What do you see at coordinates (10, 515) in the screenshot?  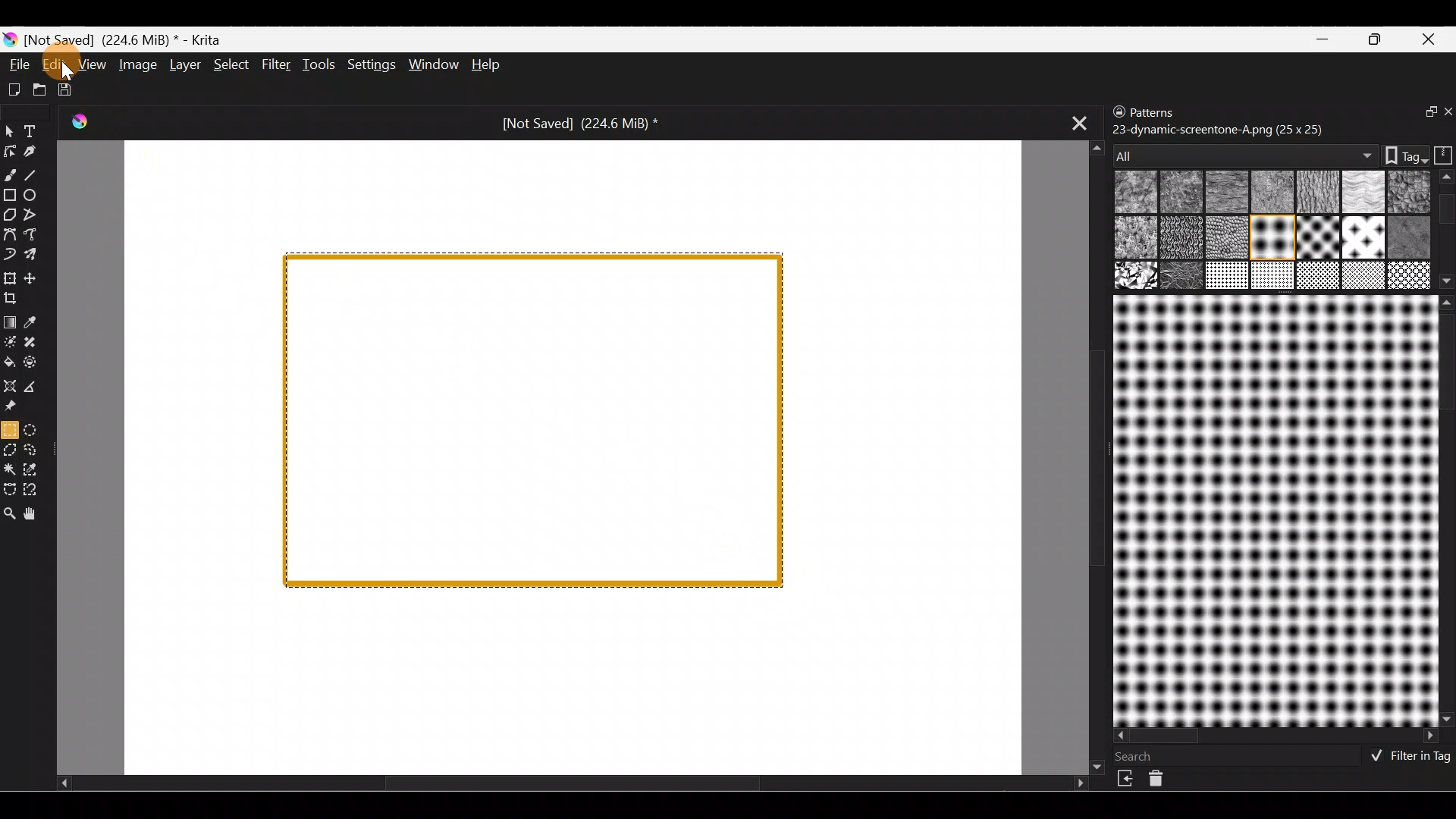 I see `Zoom tool` at bounding box center [10, 515].